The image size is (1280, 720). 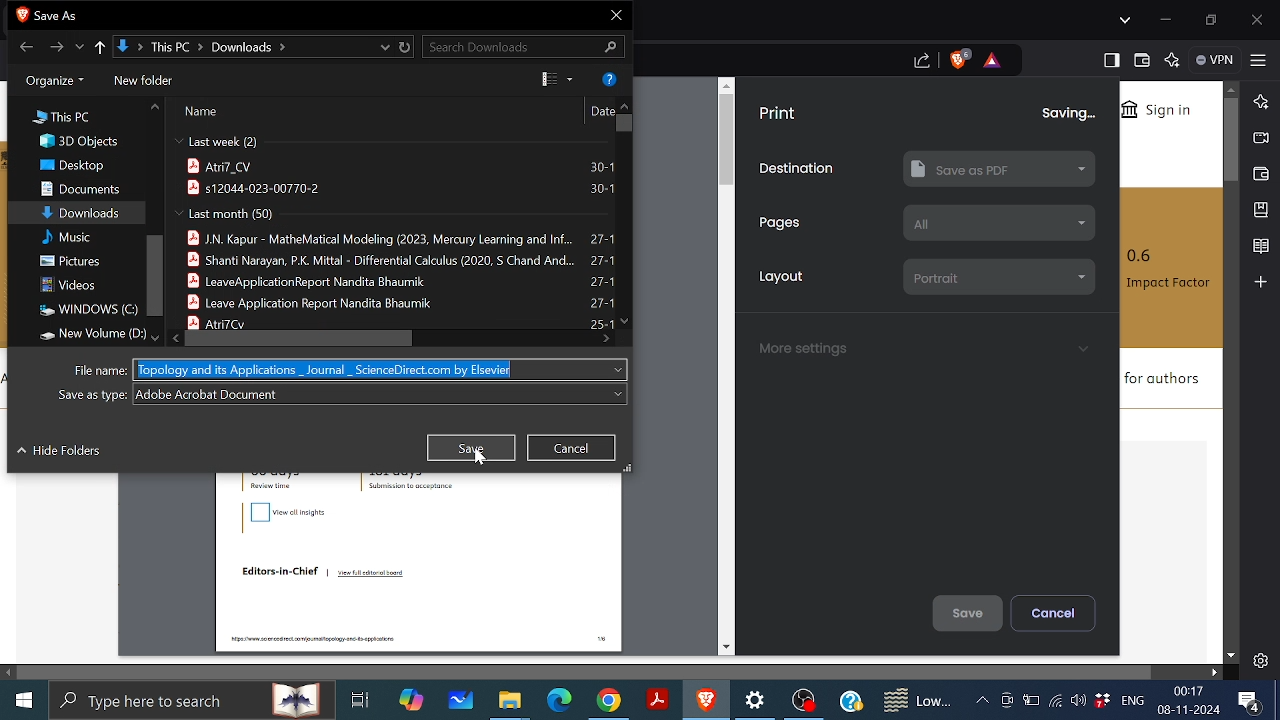 What do you see at coordinates (177, 338) in the screenshot?
I see `Move left` at bounding box center [177, 338].